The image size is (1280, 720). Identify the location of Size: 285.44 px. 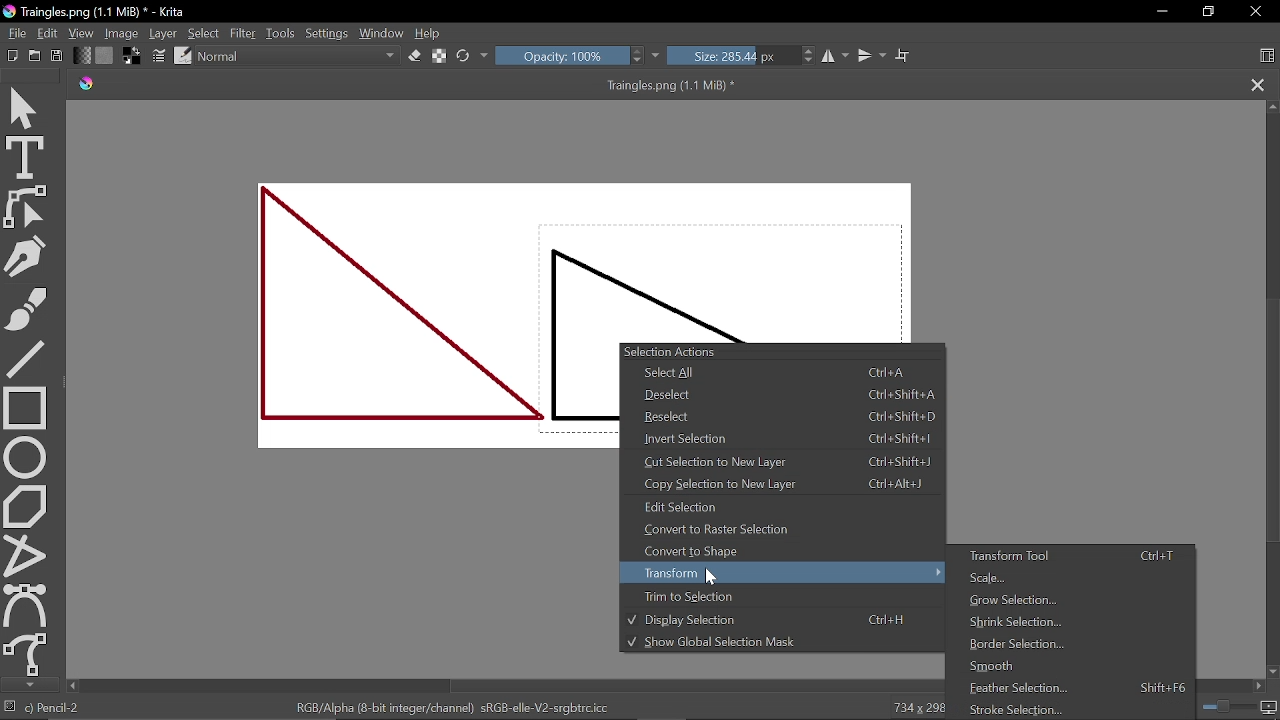
(742, 56).